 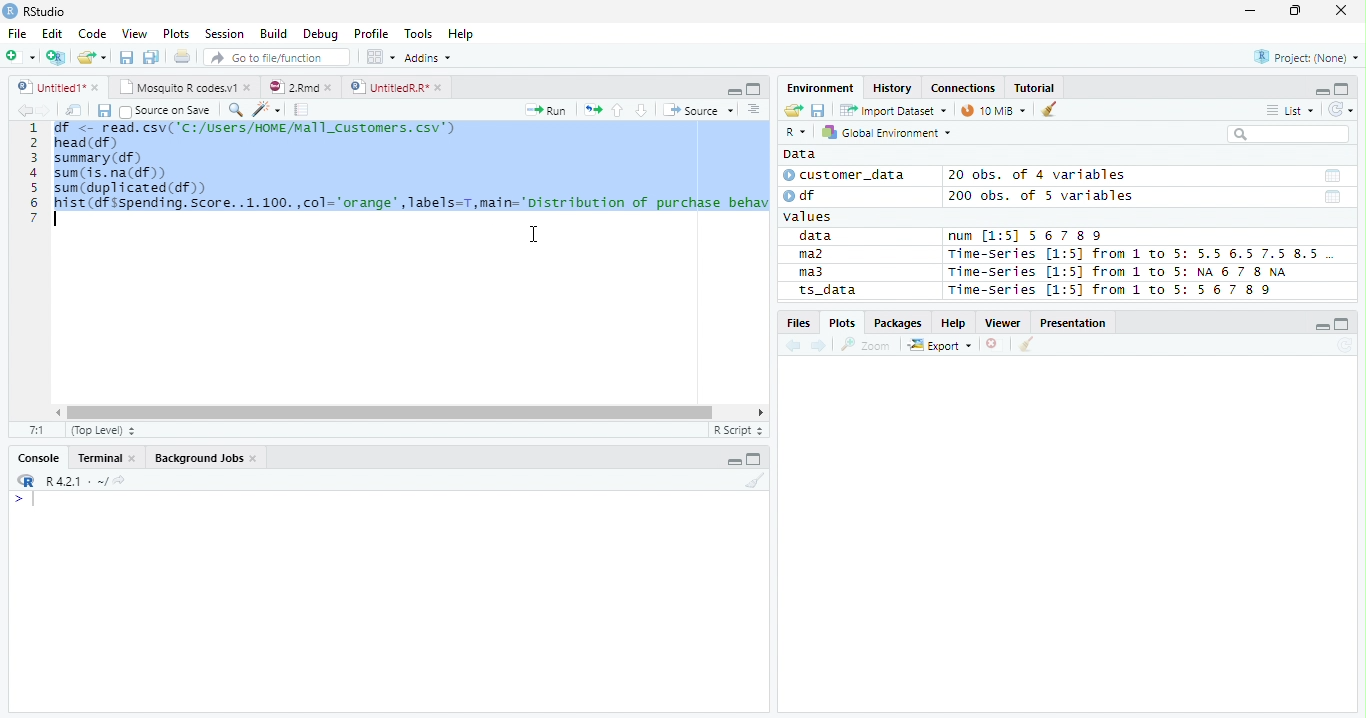 What do you see at coordinates (181, 57) in the screenshot?
I see `Print` at bounding box center [181, 57].